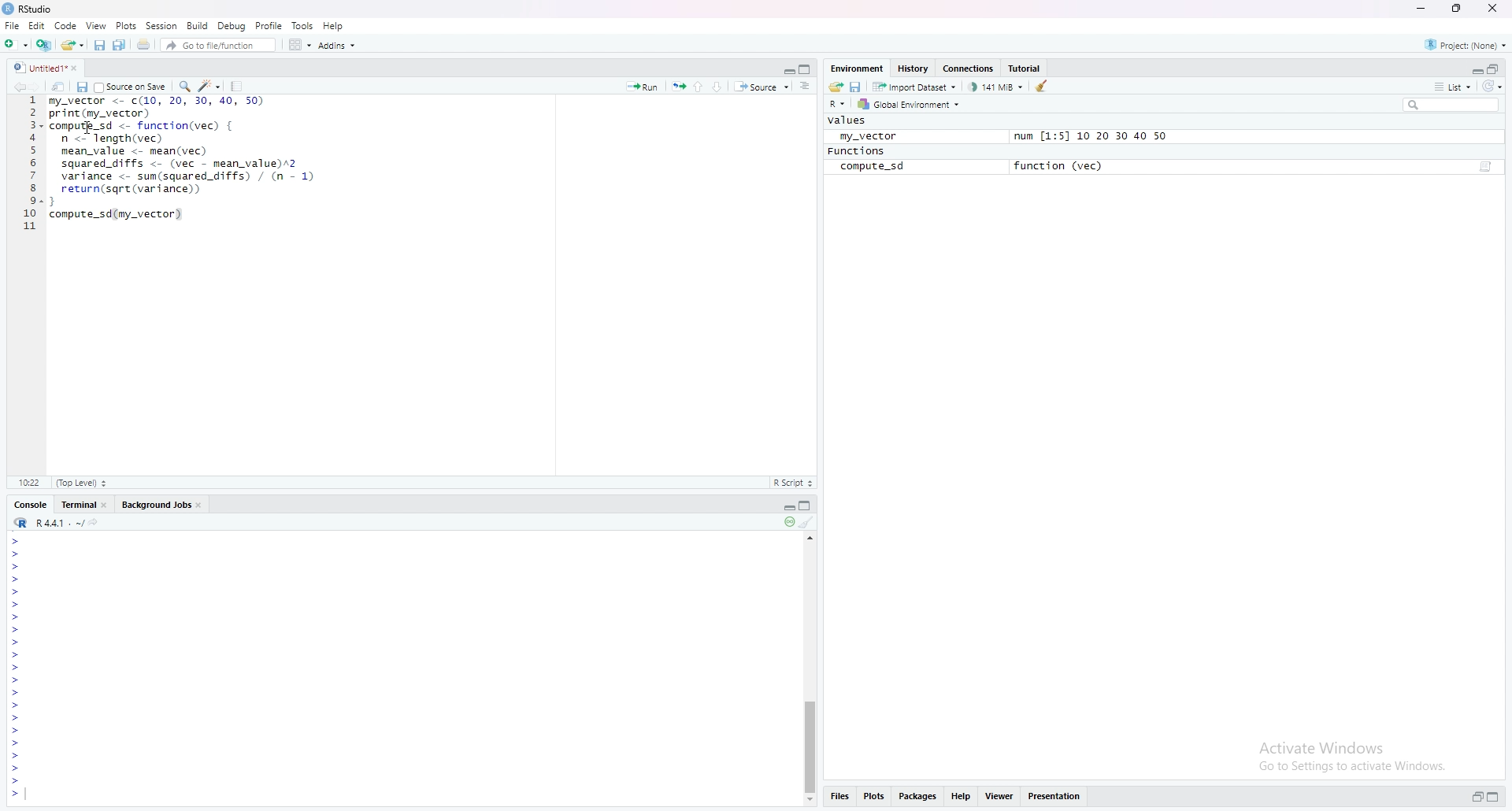  Describe the element at coordinates (784, 69) in the screenshot. I see `Minimize` at that location.